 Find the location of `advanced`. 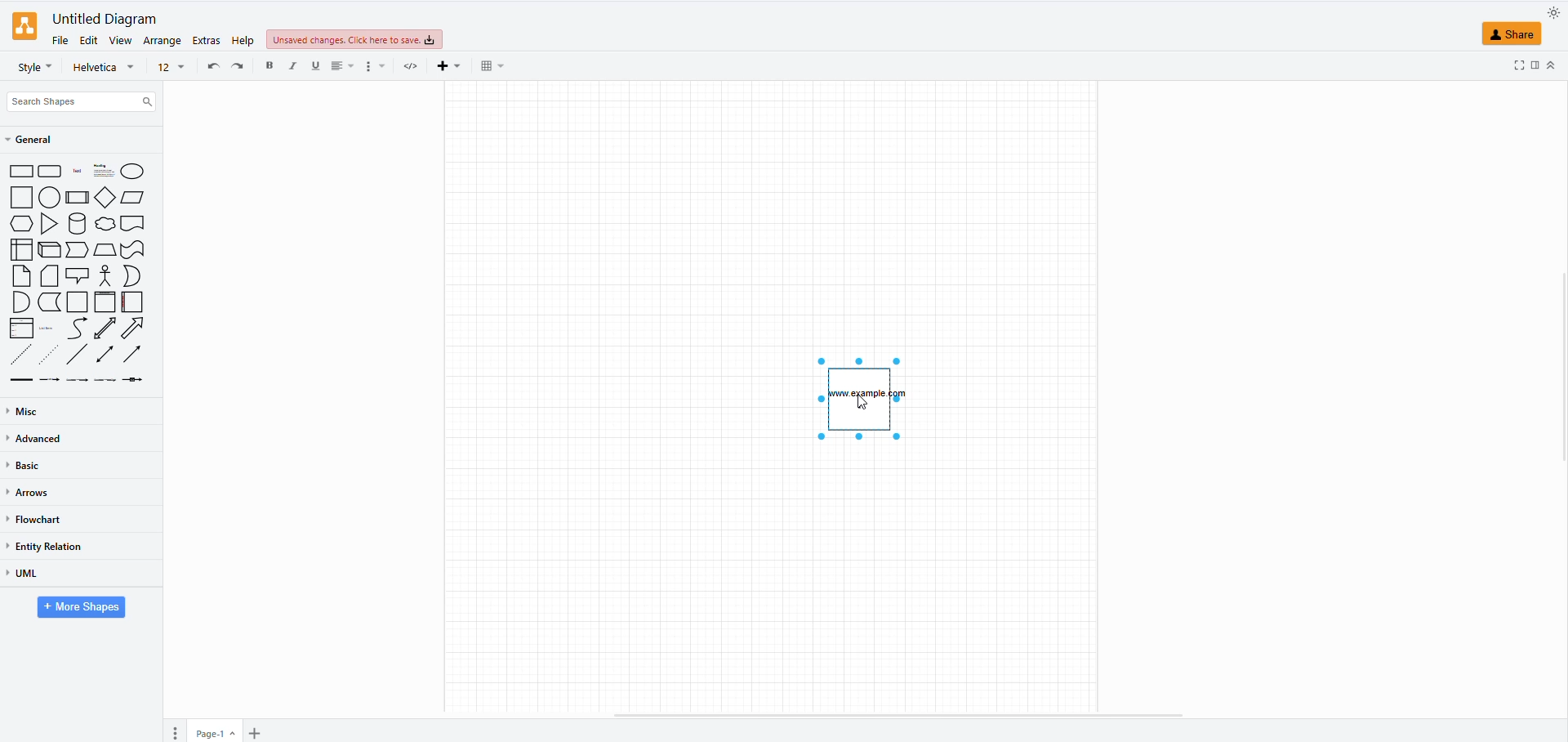

advanced is located at coordinates (42, 440).